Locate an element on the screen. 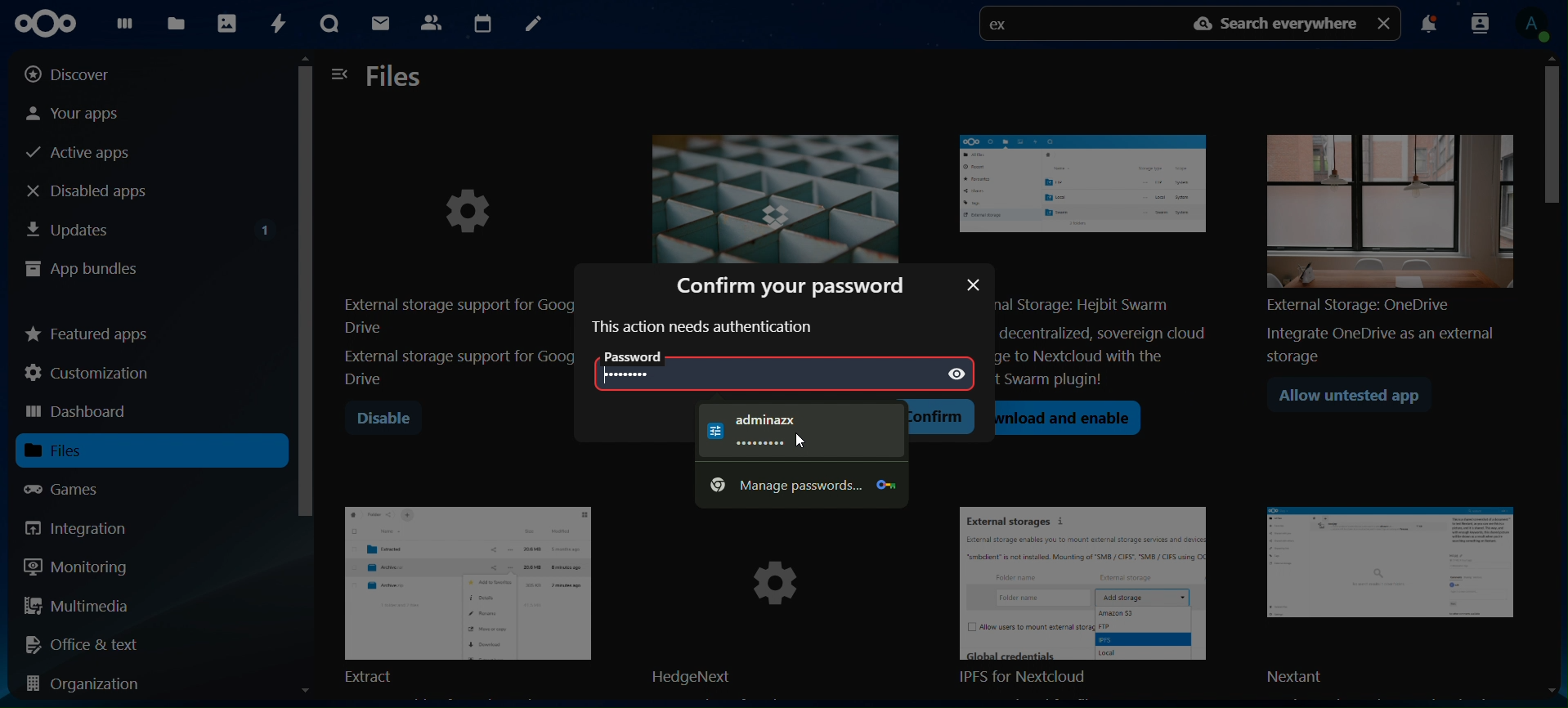  active apps is located at coordinates (85, 154).